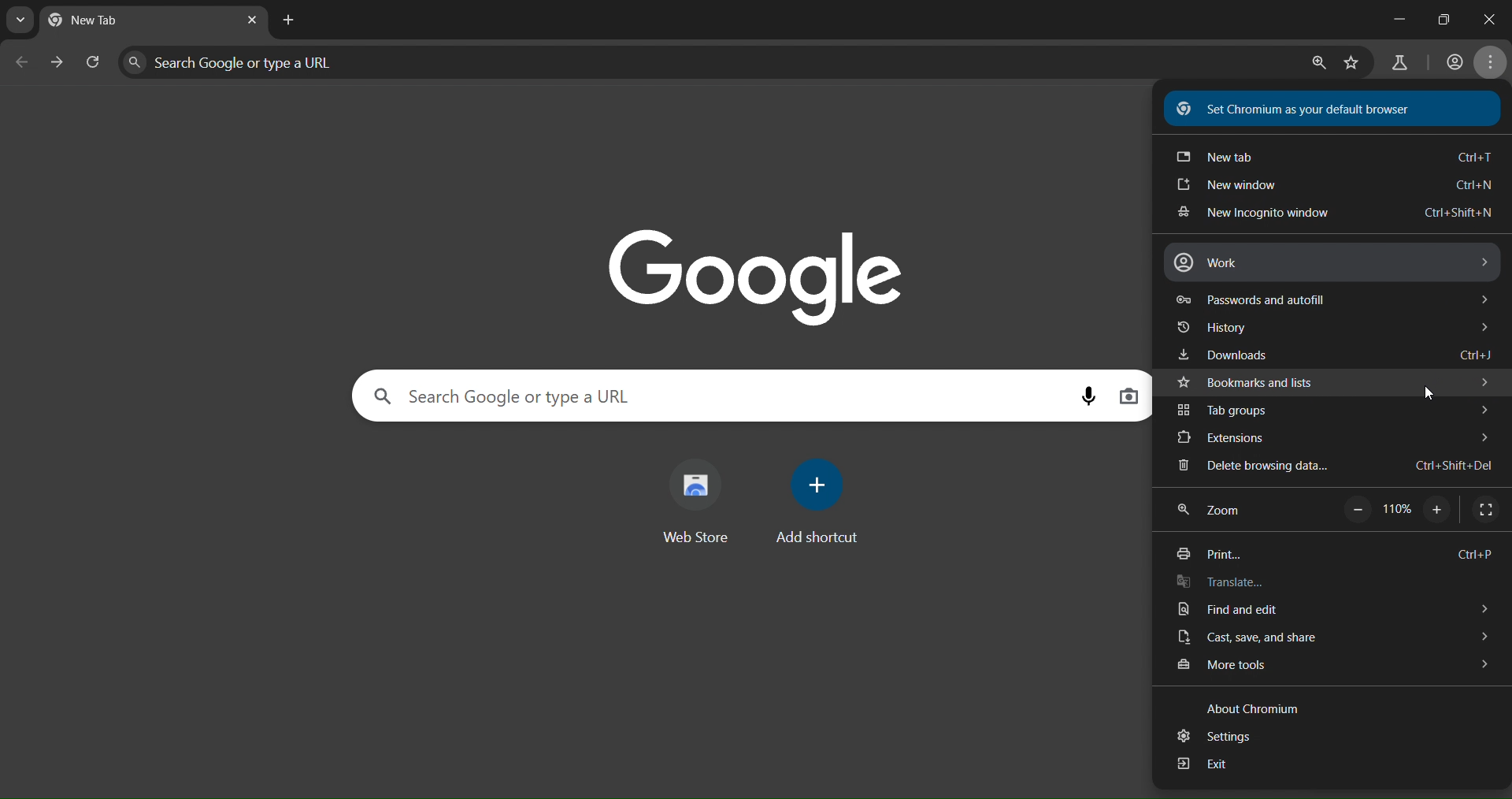 This screenshot has height=799, width=1512. What do you see at coordinates (1131, 396) in the screenshot?
I see `image search` at bounding box center [1131, 396].